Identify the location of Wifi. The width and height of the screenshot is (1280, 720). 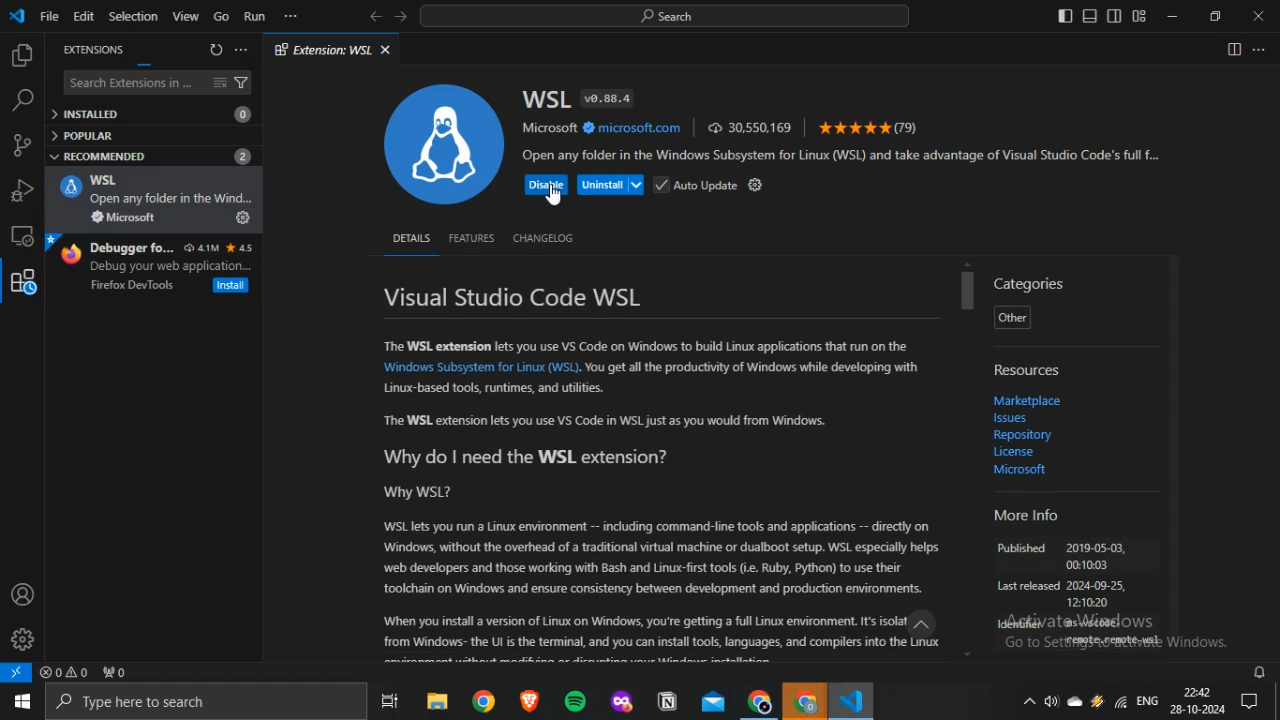
(1119, 701).